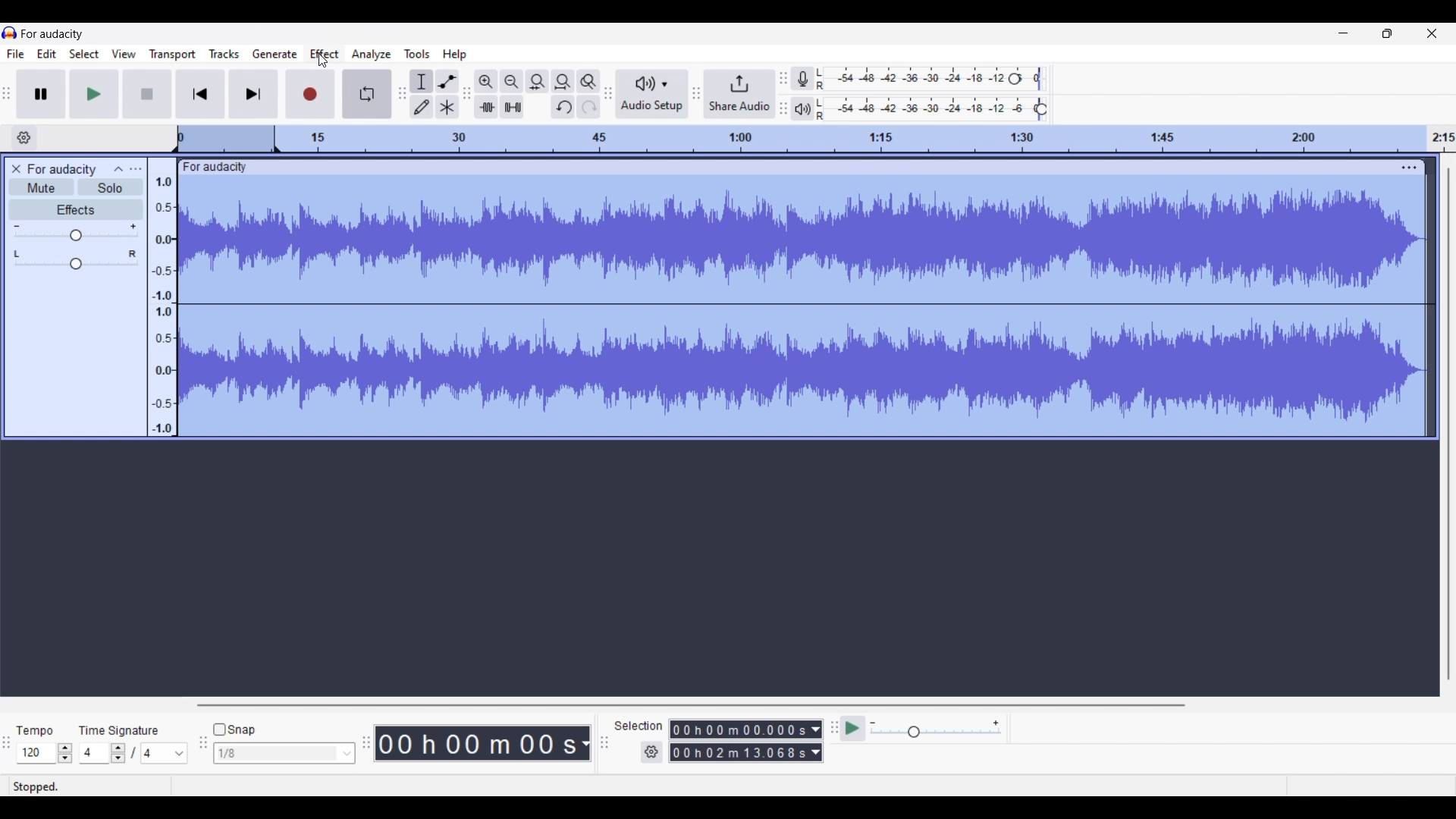 This screenshot has width=1456, height=819. What do you see at coordinates (323, 61) in the screenshot?
I see `Cursor clicking on Effect menu` at bounding box center [323, 61].